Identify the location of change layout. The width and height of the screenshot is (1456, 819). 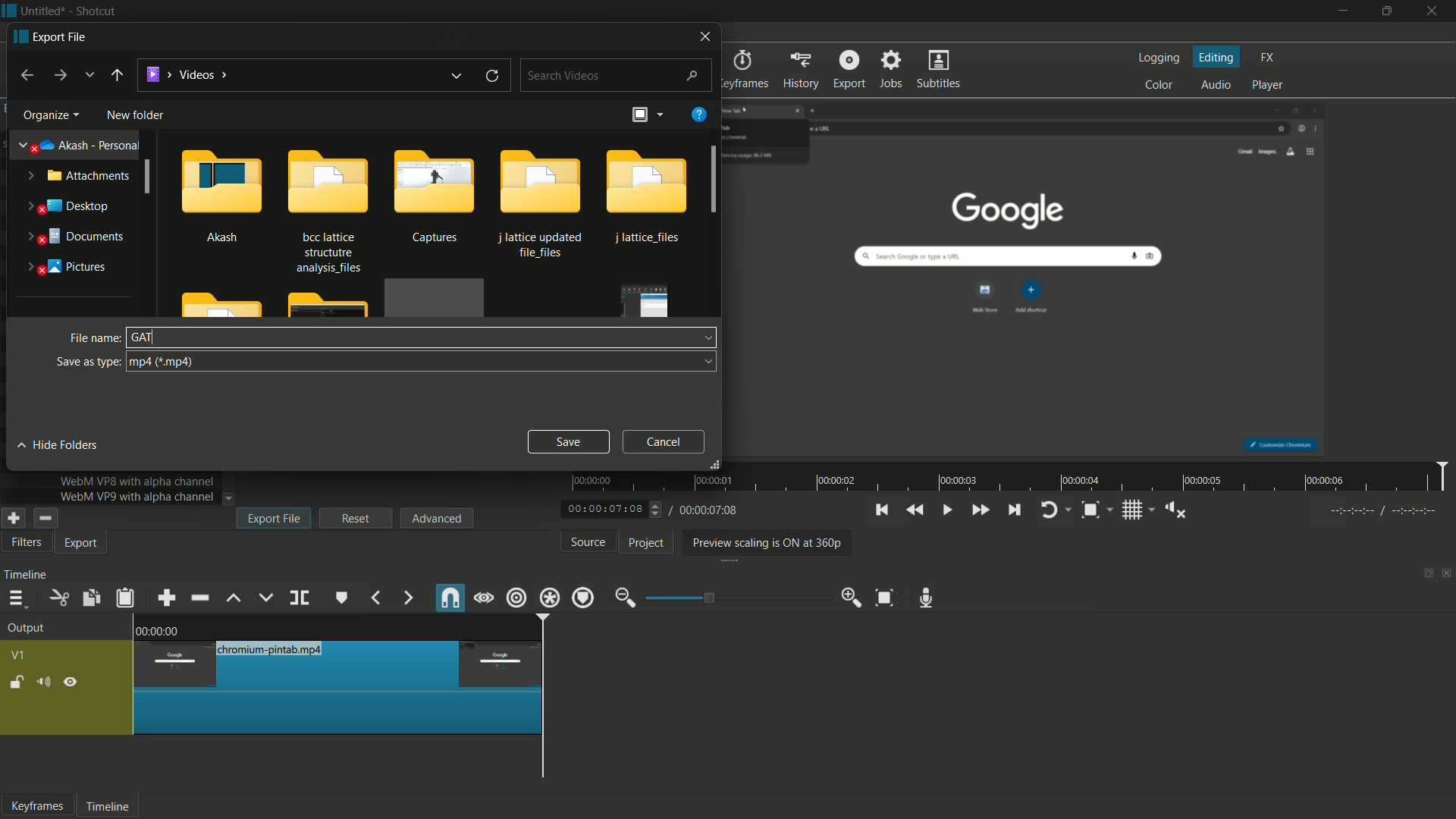
(1423, 577).